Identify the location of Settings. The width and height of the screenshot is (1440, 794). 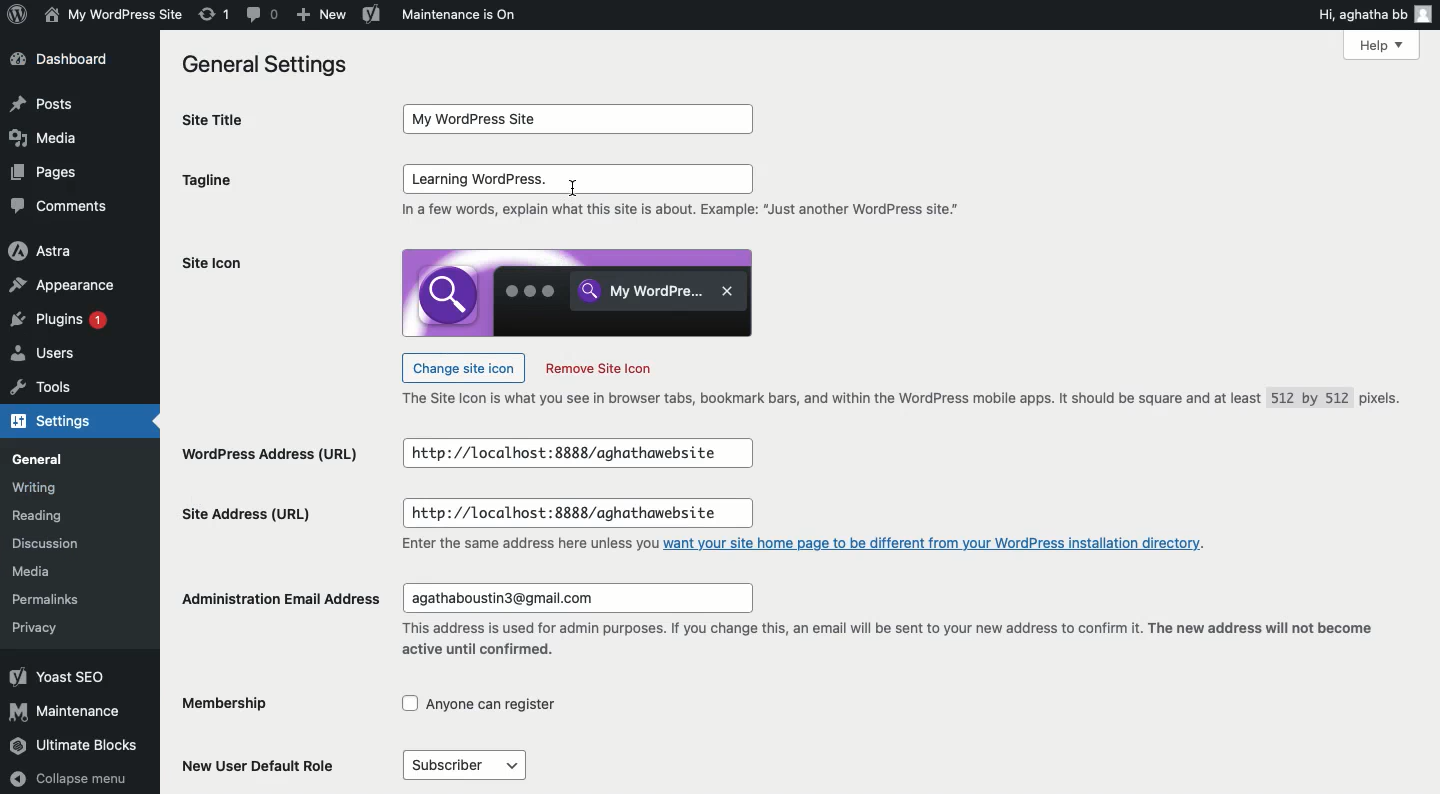
(62, 423).